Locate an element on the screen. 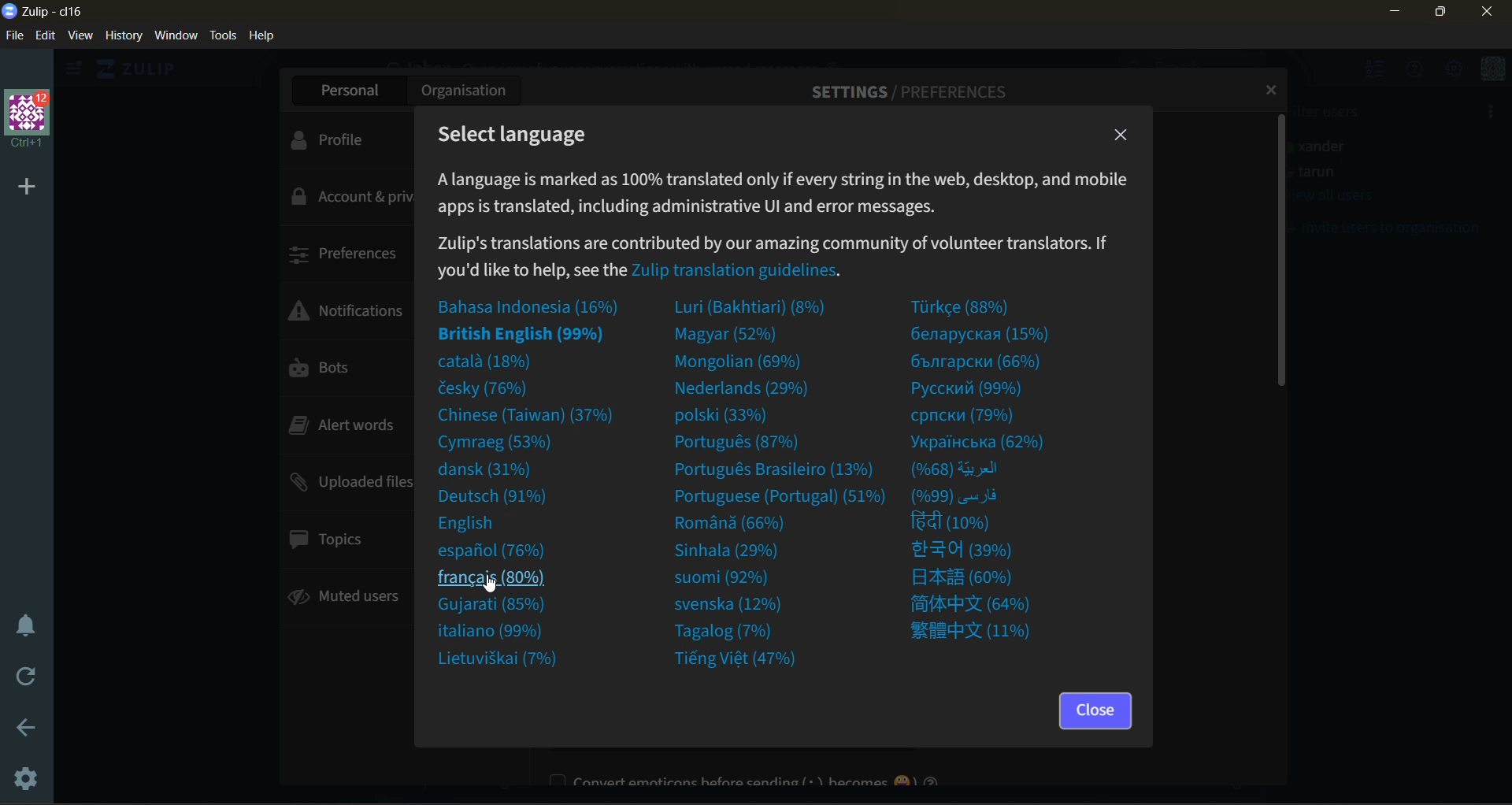 This screenshot has width=1512, height=805. main menu is located at coordinates (1440, 72).